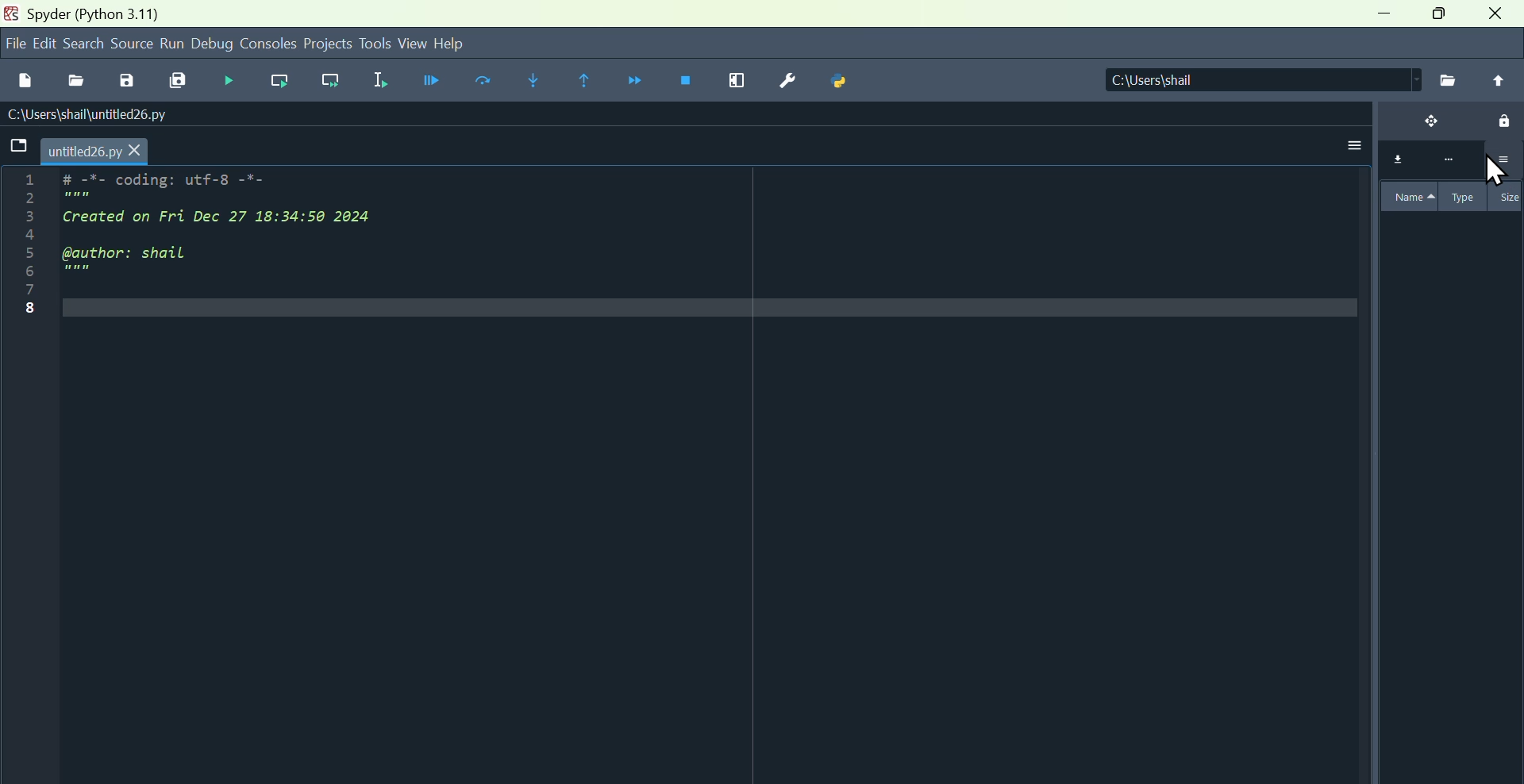 The width and height of the screenshot is (1524, 784). Describe the element at coordinates (333, 82) in the screenshot. I see `Run current line and go to the next one` at that location.